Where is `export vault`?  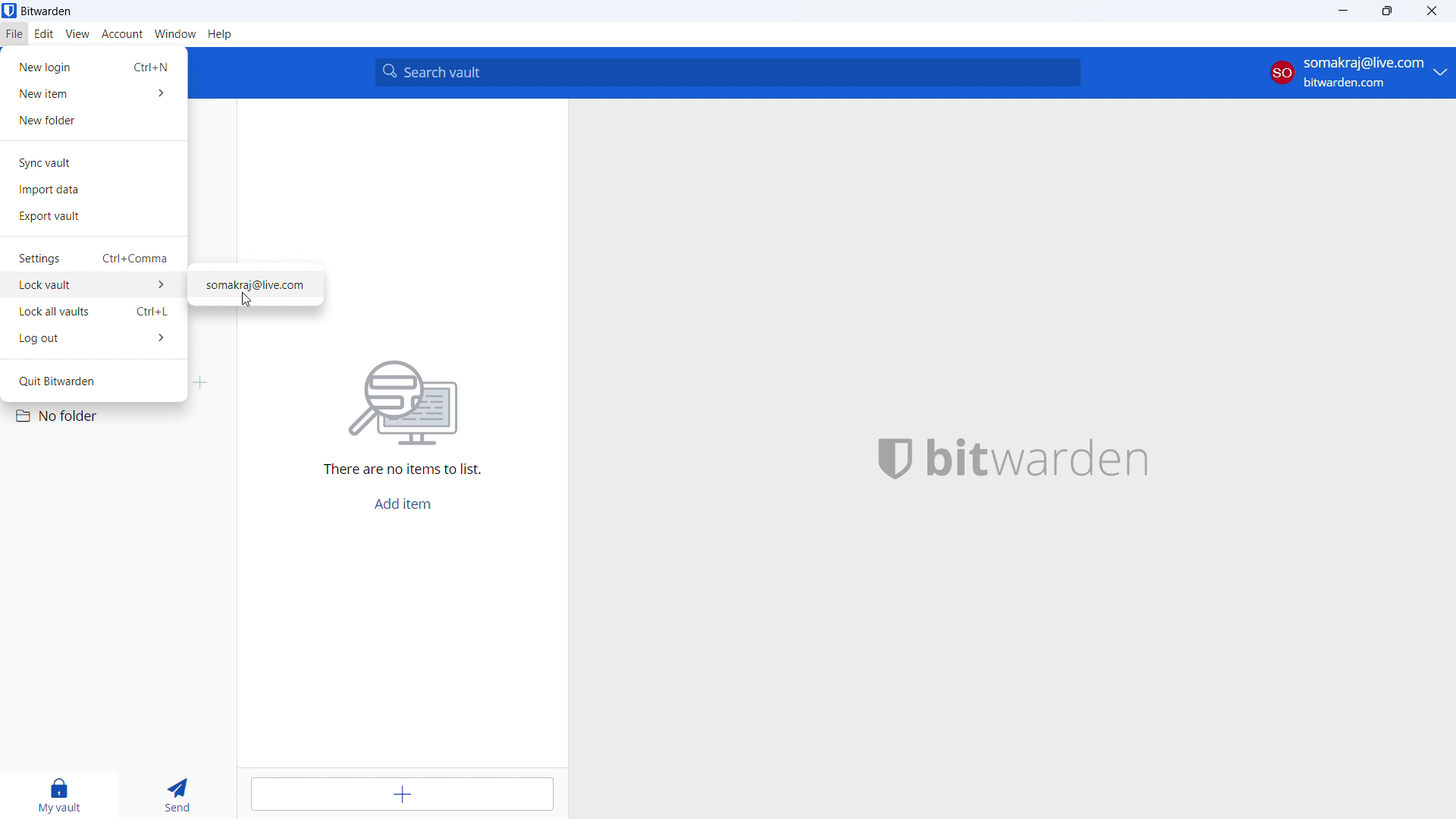
export vault is located at coordinates (94, 216).